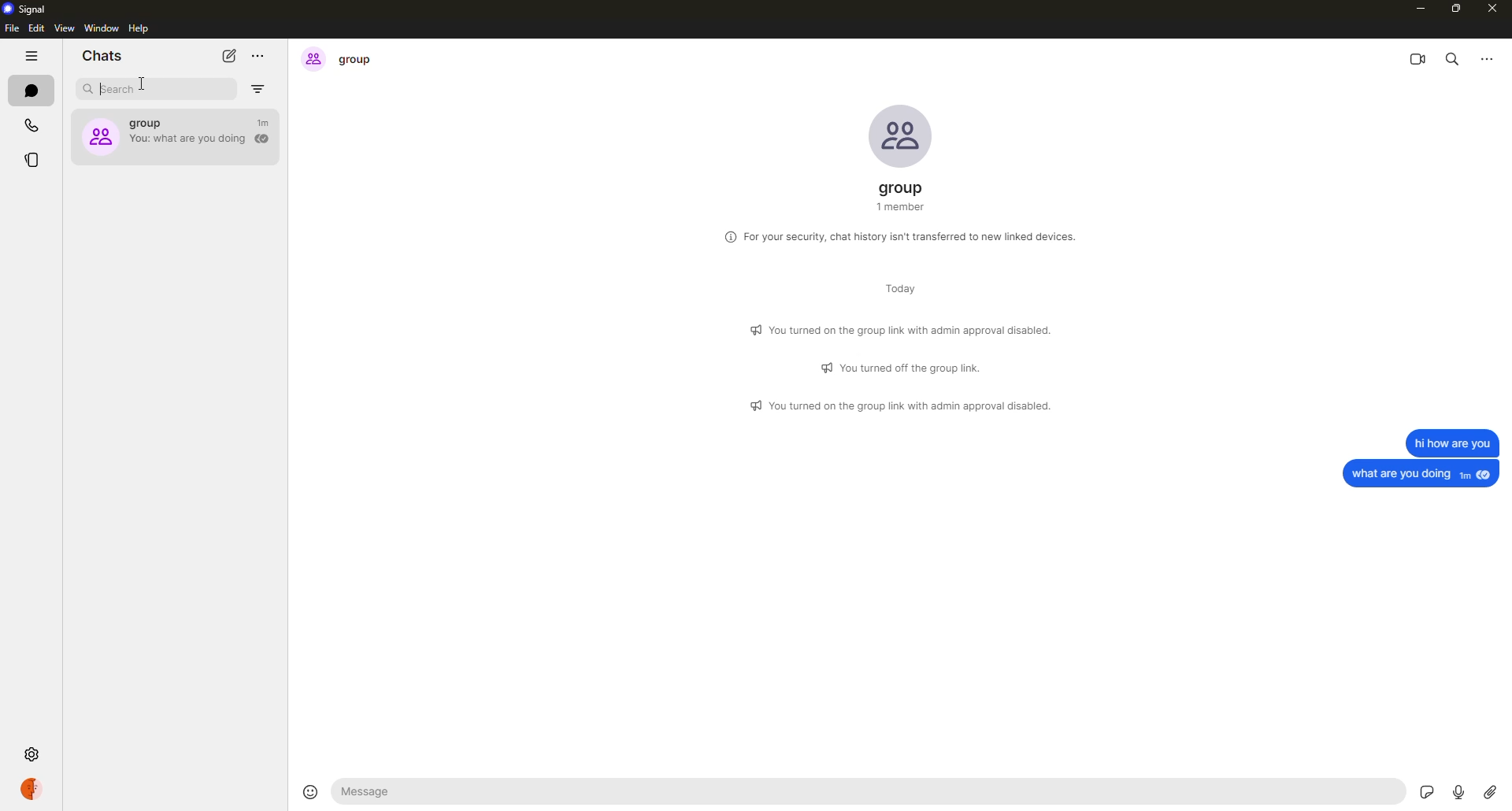 The image size is (1512, 811). I want to click on info, so click(903, 406).